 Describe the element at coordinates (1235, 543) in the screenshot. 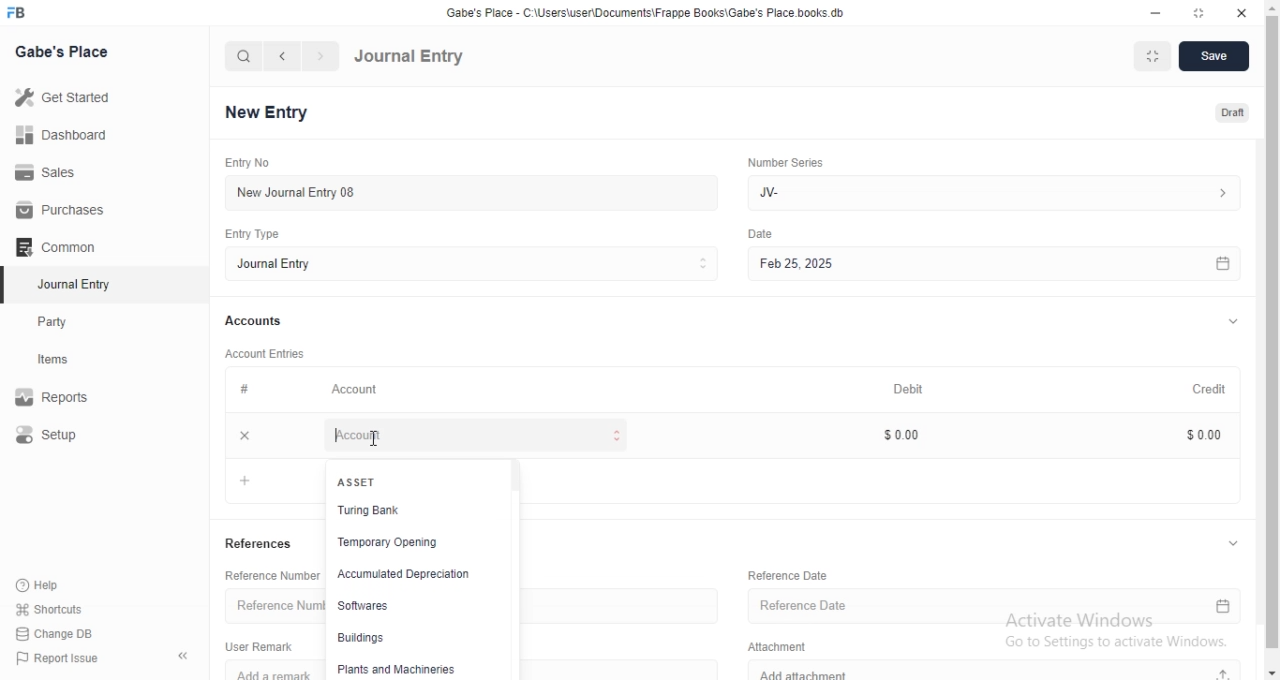

I see `expand/collapse` at that location.